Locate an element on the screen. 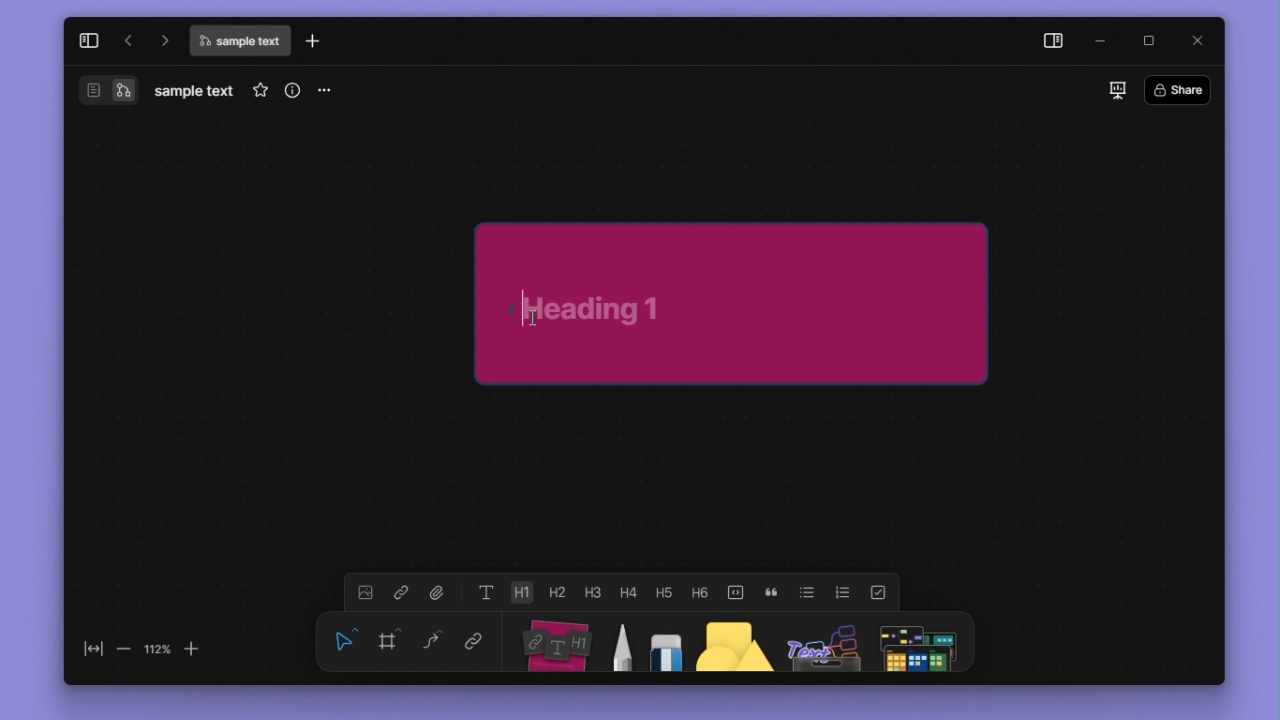 This screenshot has width=1280, height=720. image is located at coordinates (365, 592).